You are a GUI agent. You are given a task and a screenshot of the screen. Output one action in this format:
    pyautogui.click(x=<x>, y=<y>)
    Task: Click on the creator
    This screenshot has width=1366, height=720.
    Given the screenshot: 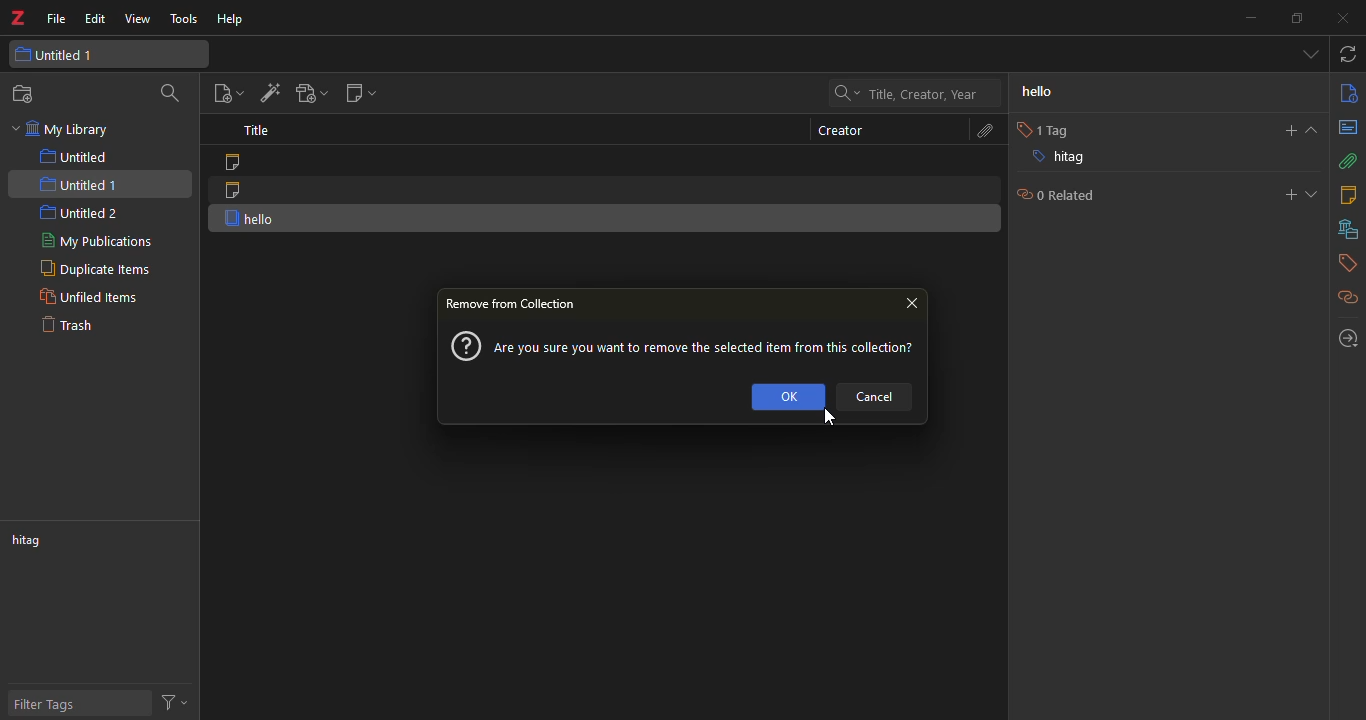 What is the action you would take?
    pyautogui.click(x=841, y=130)
    